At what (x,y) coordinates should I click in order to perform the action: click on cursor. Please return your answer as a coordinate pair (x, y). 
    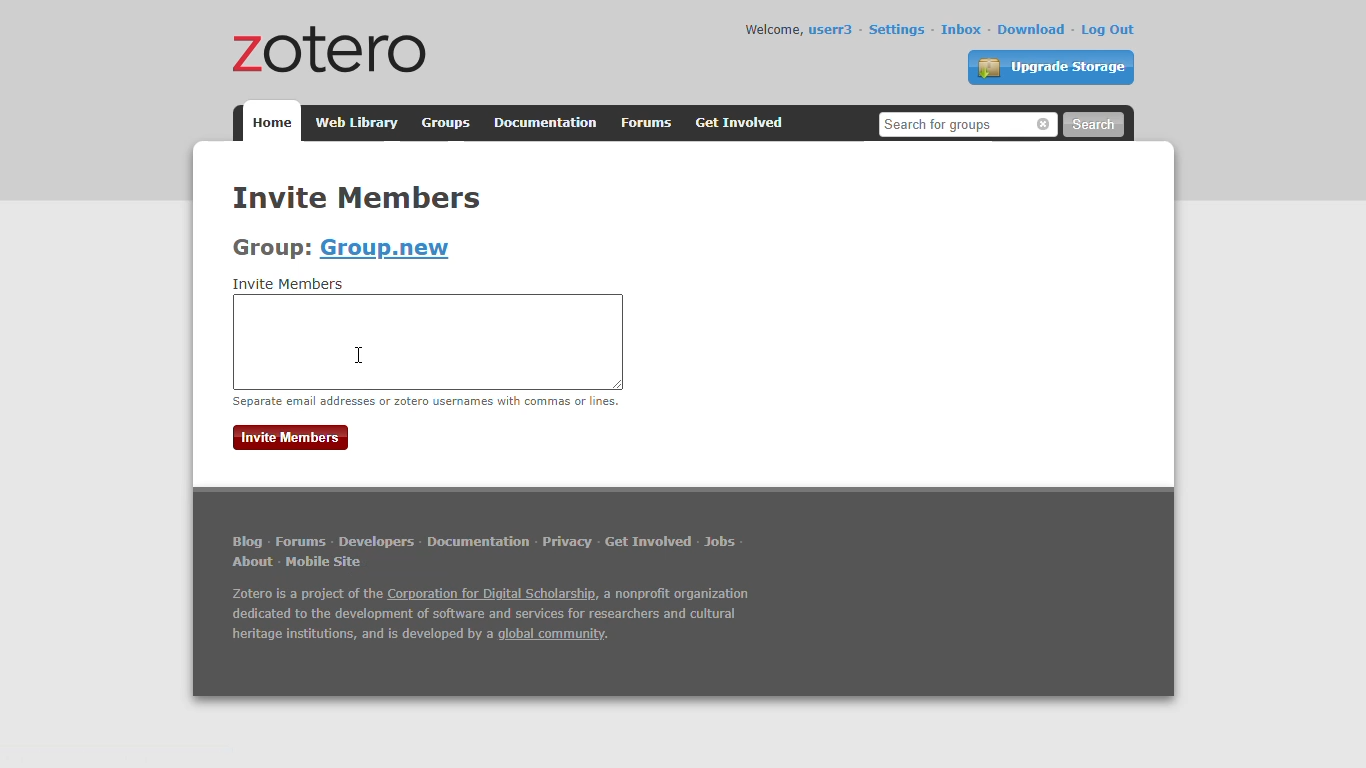
    Looking at the image, I should click on (359, 355).